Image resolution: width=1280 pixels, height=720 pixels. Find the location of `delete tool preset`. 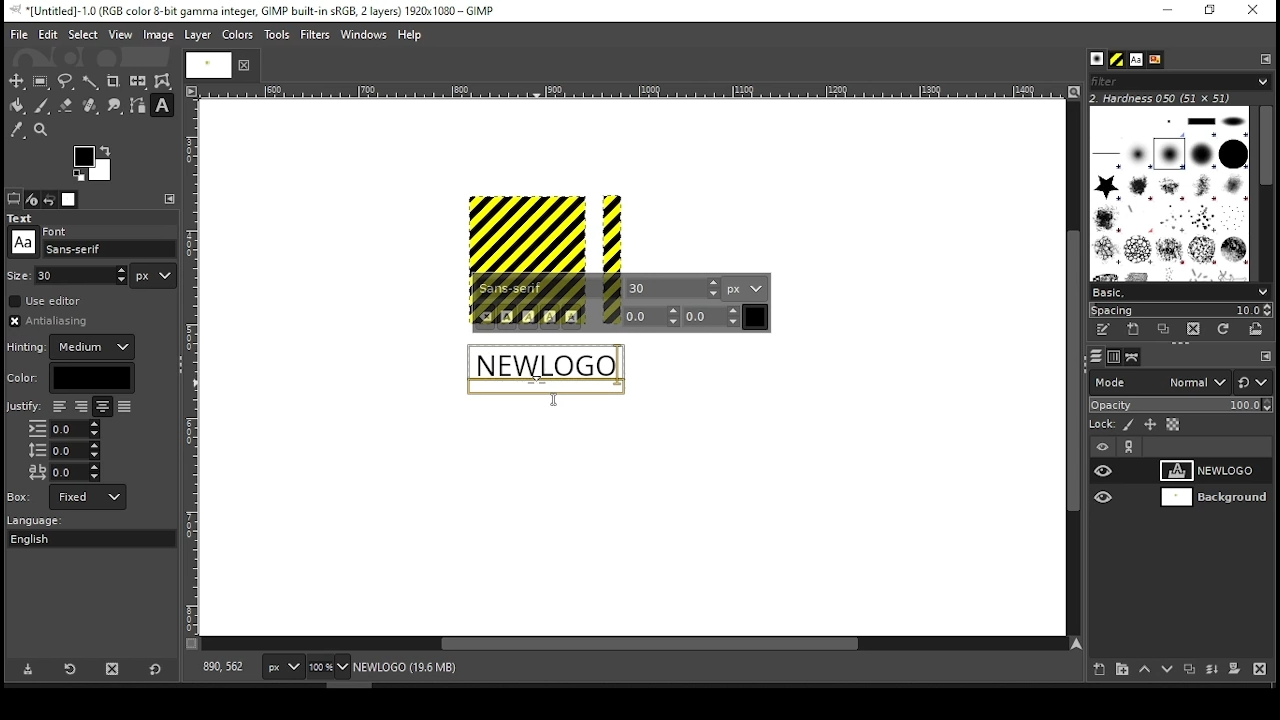

delete tool preset is located at coordinates (118, 668).